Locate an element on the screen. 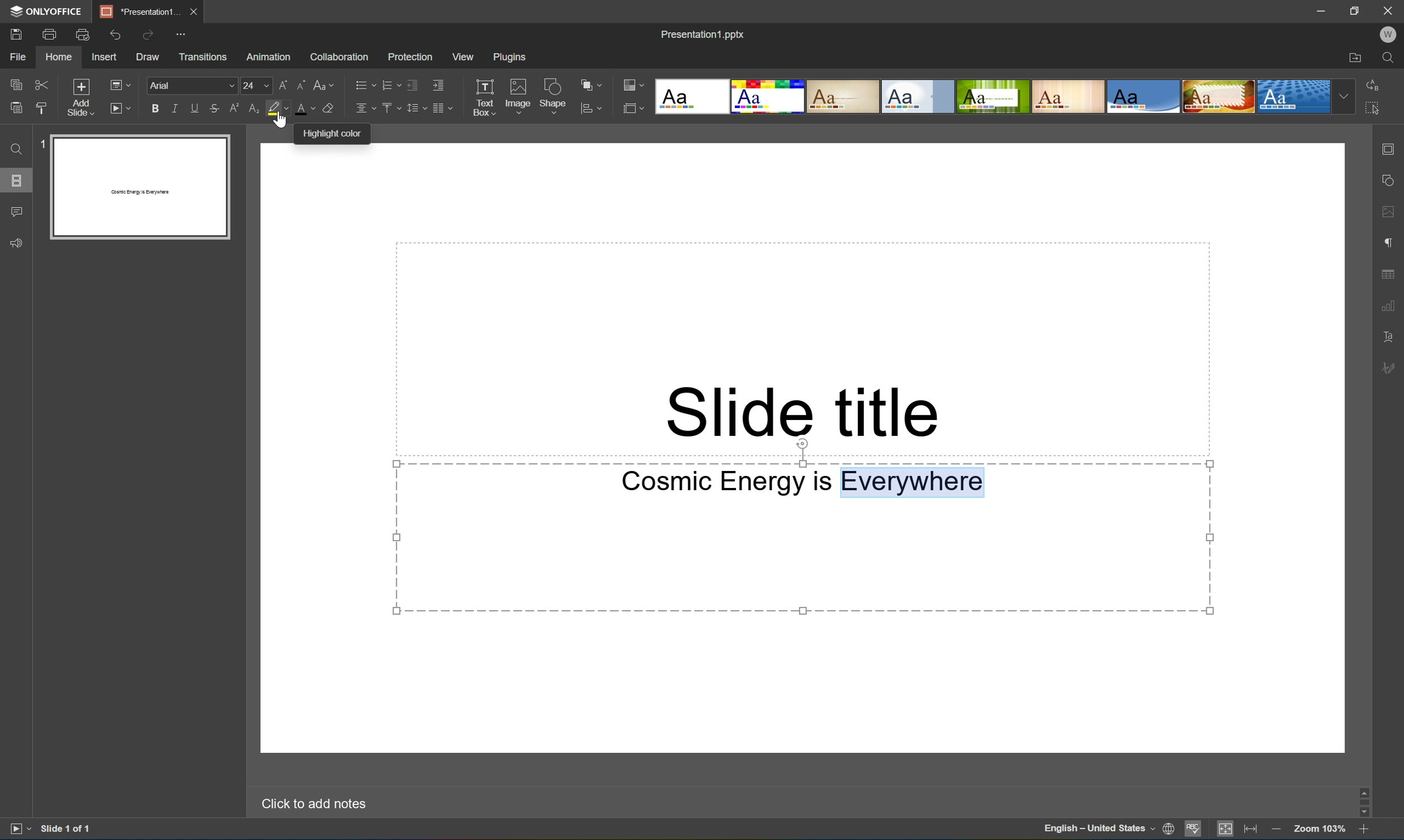 The image size is (1404, 840). Find is located at coordinates (1390, 59).